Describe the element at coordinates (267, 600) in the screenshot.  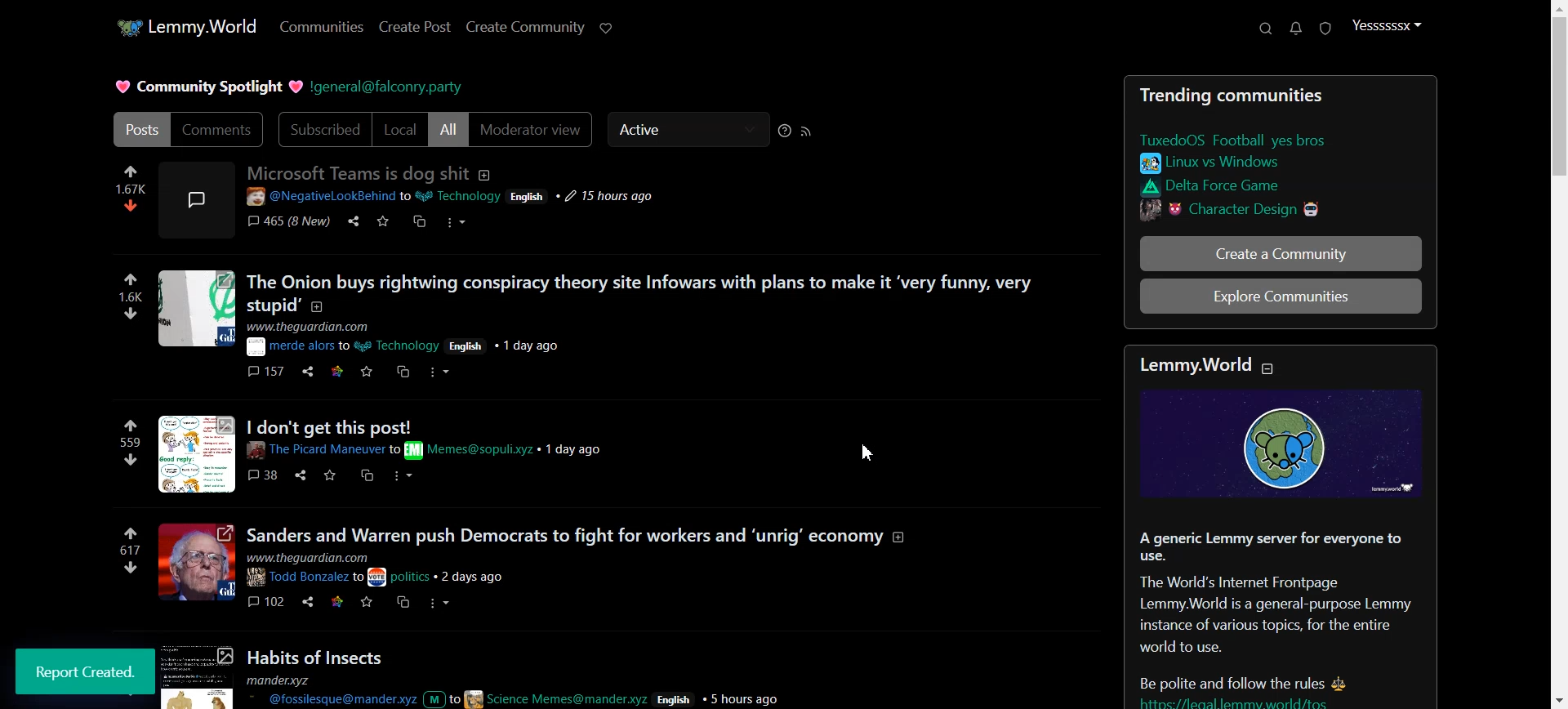
I see `comments` at that location.